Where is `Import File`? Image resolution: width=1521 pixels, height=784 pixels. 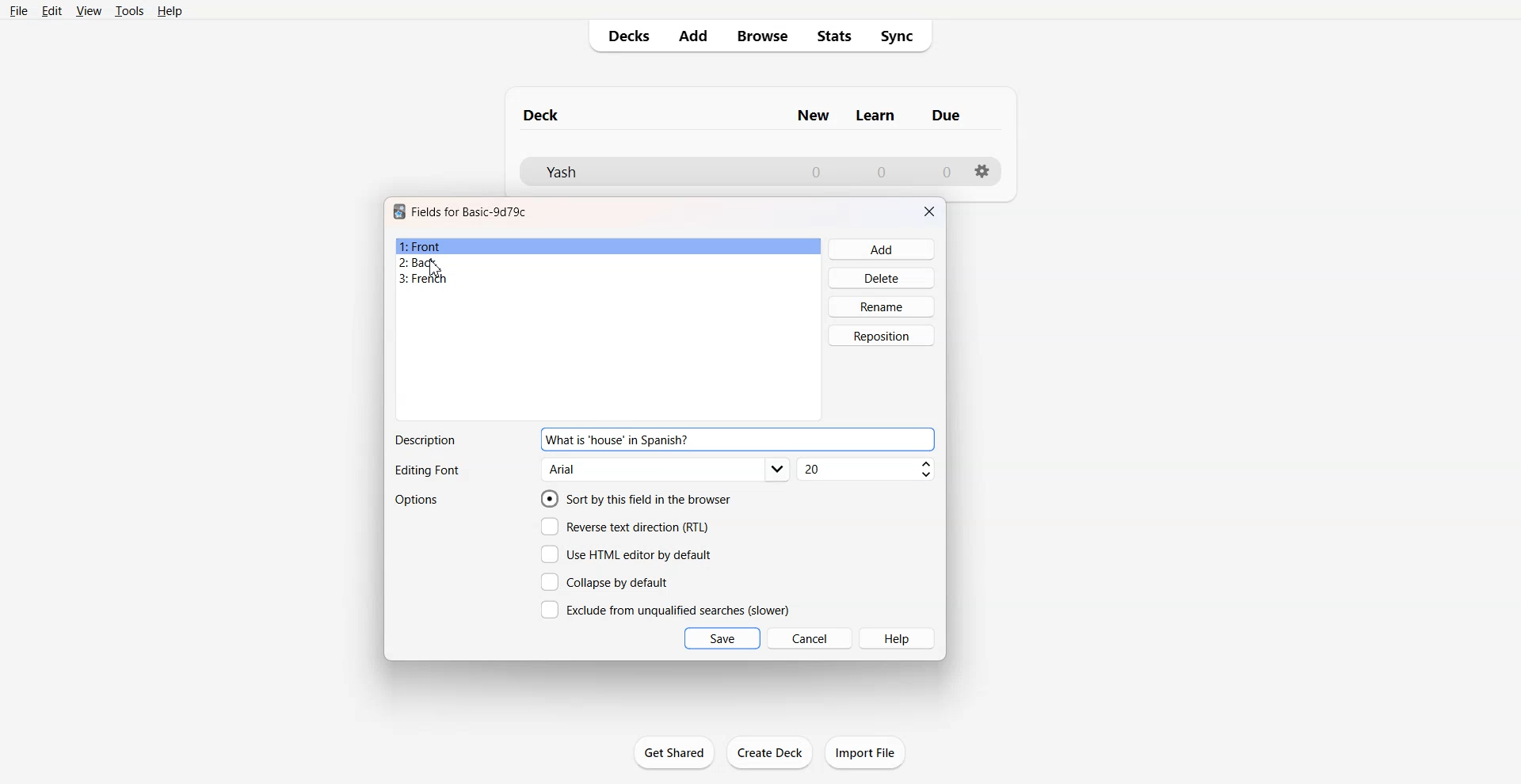 Import File is located at coordinates (865, 752).